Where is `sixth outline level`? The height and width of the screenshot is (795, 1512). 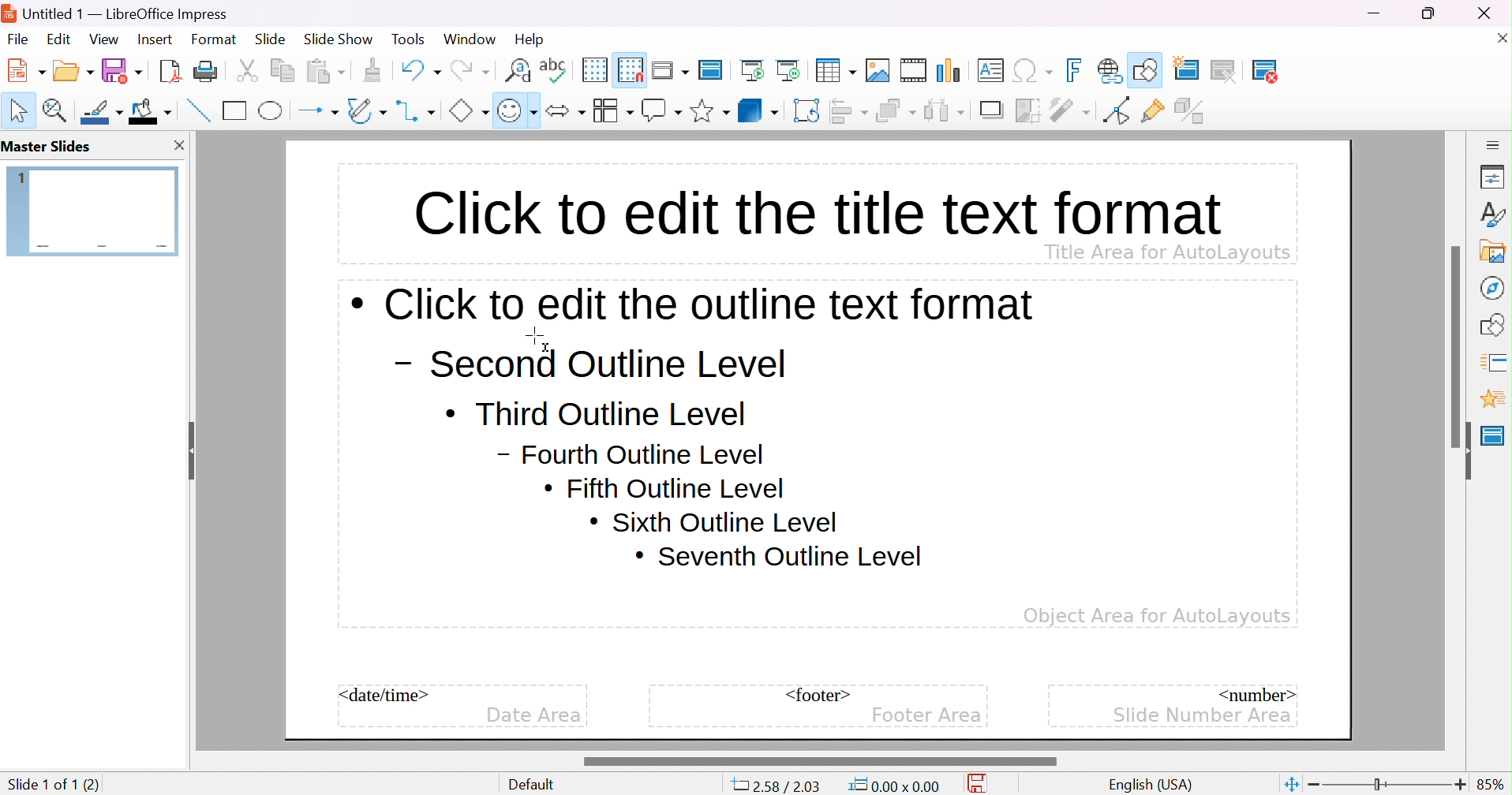
sixth outline level is located at coordinates (665, 489).